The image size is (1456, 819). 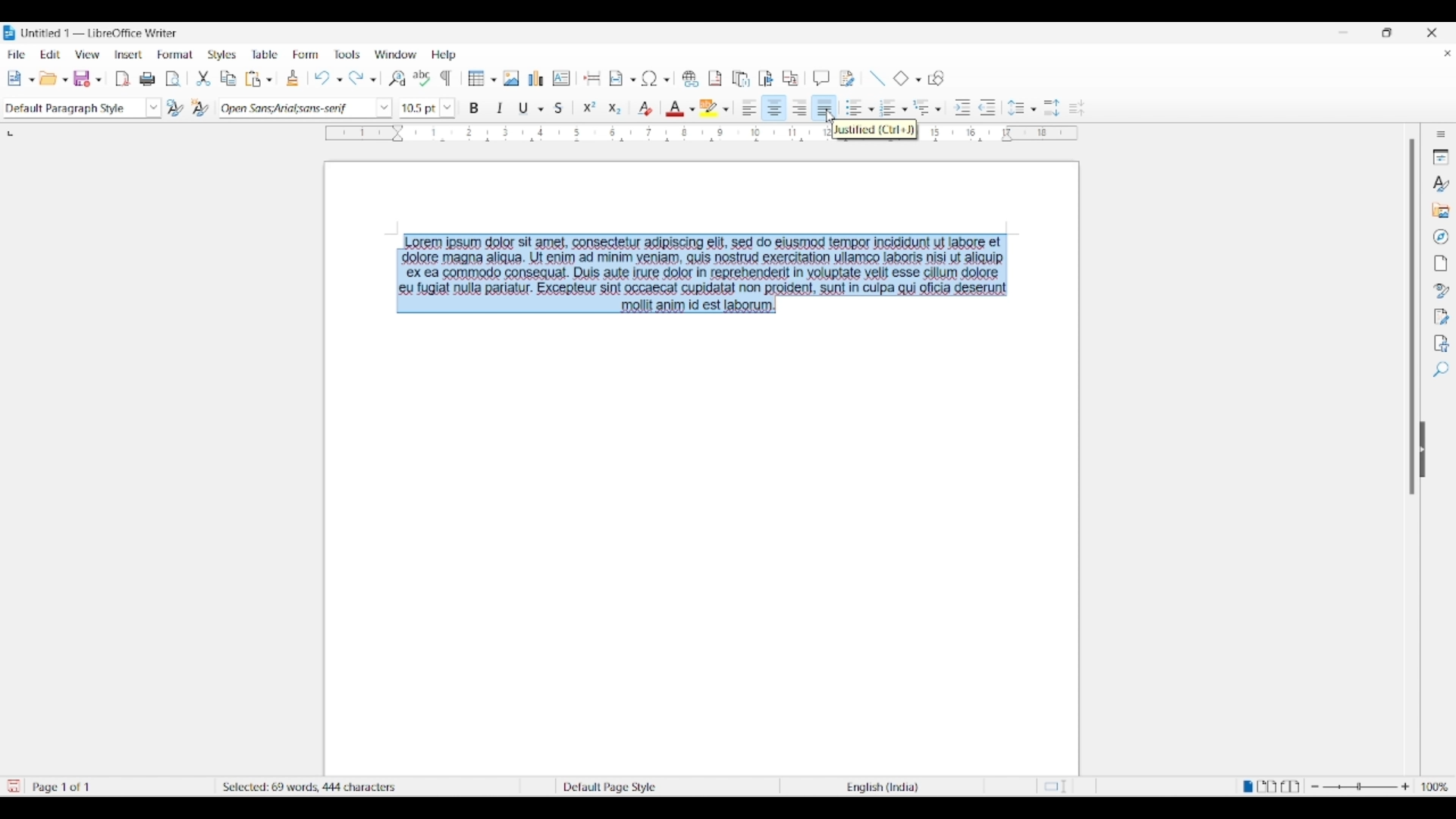 I want to click on File, so click(x=17, y=54).